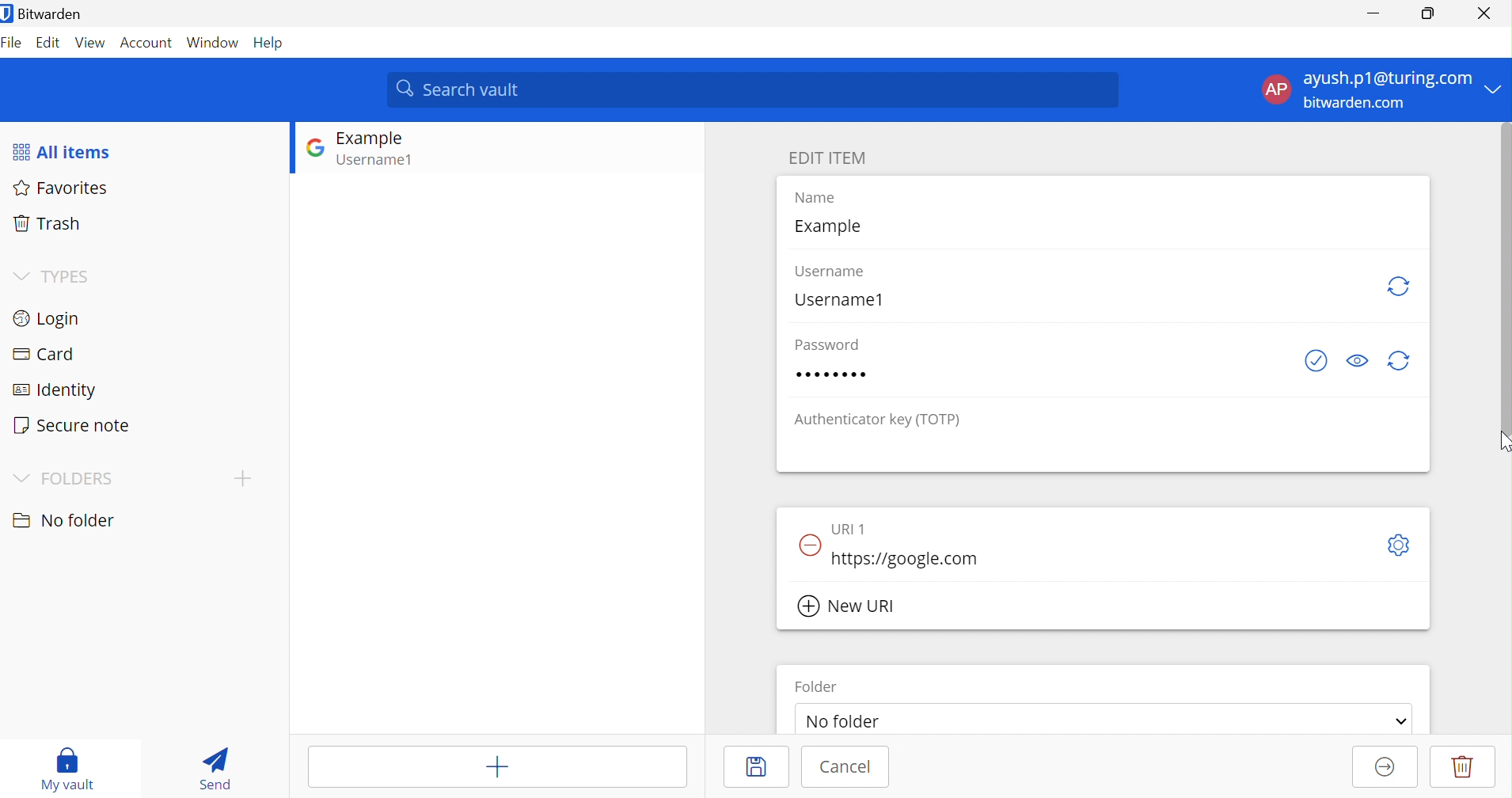 This screenshot has width=1512, height=798. I want to click on Drop Down, so click(20, 273).